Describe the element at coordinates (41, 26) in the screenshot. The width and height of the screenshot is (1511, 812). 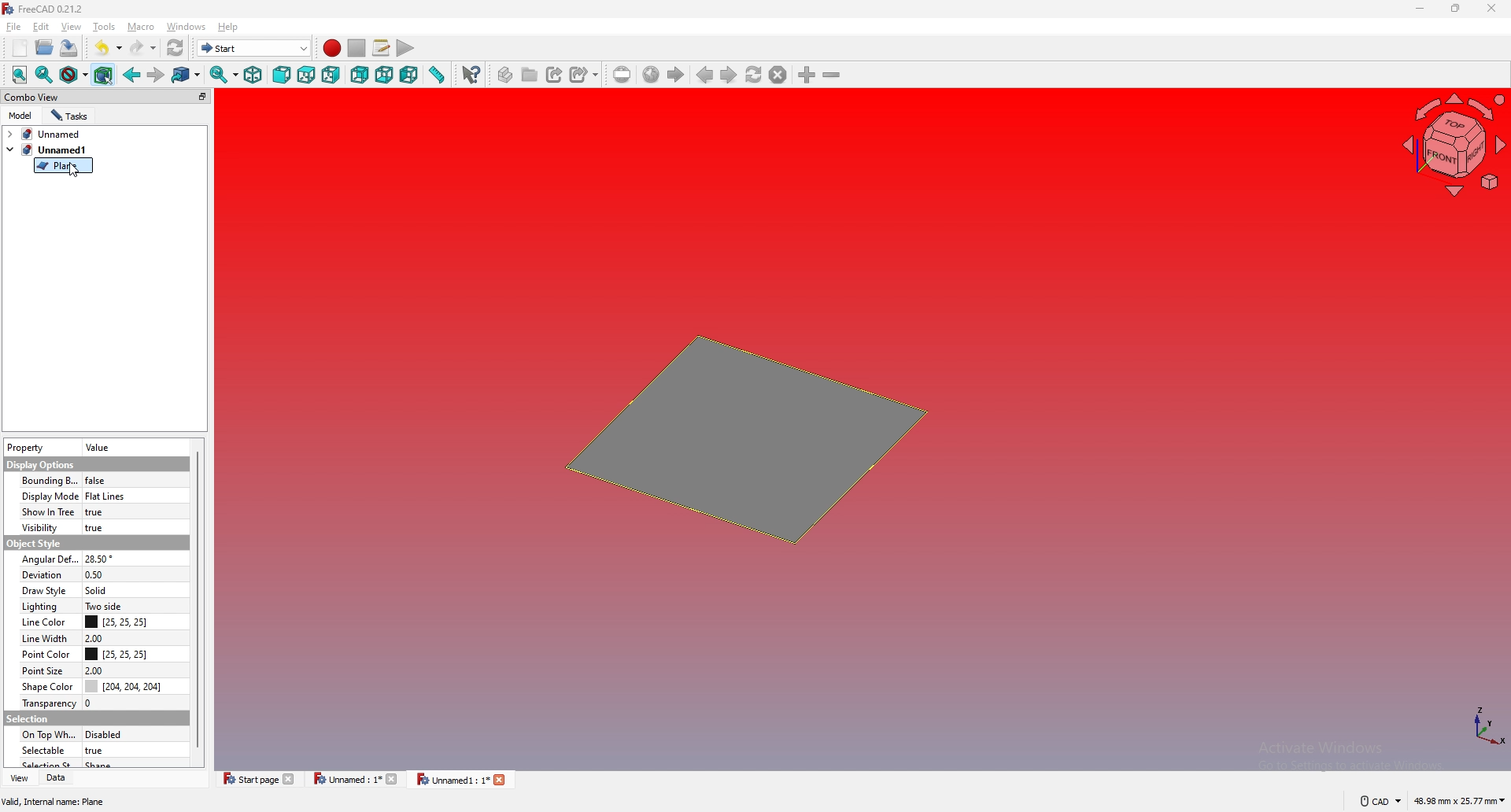
I see `edit` at that location.